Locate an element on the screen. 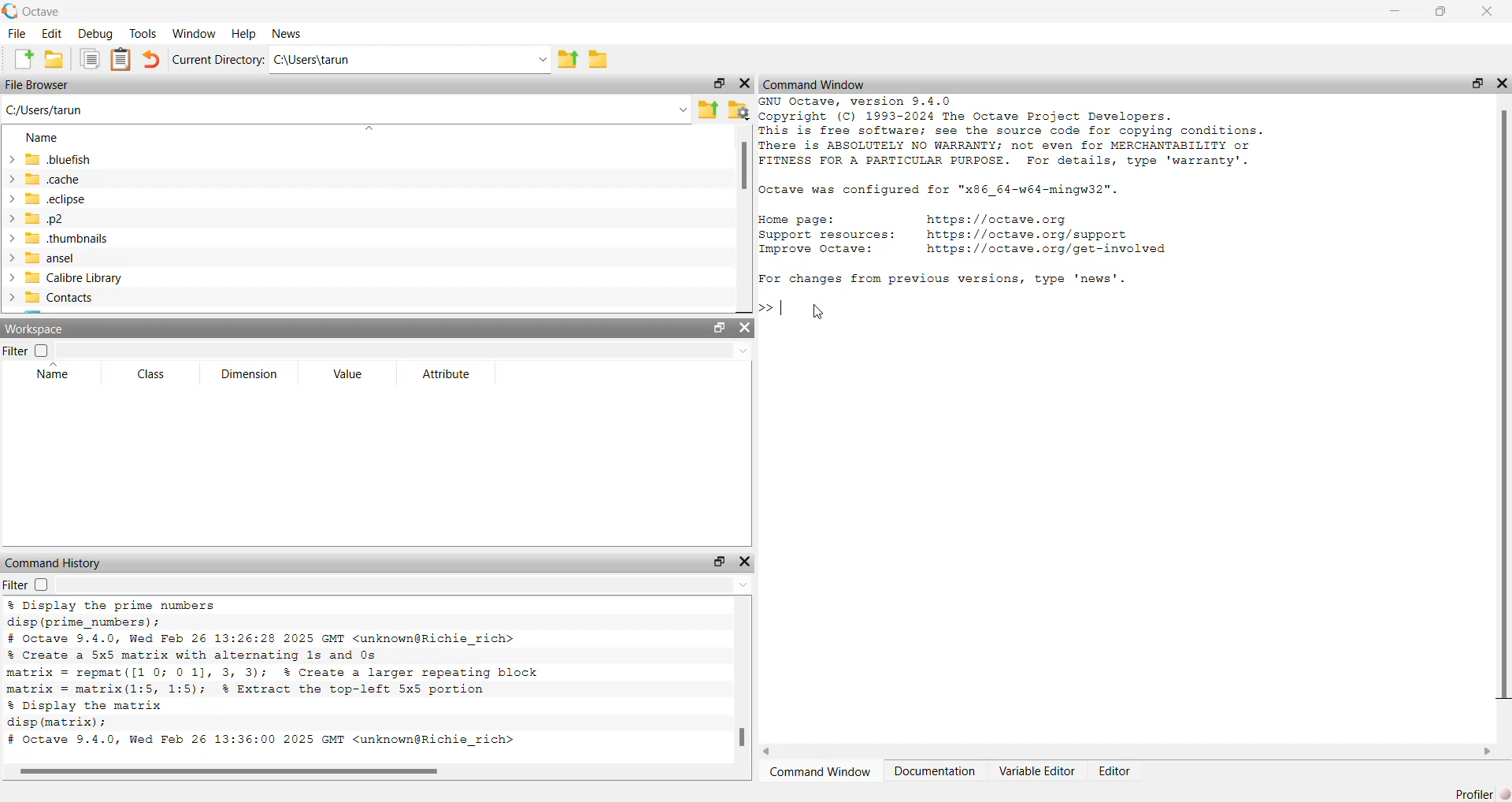 The width and height of the screenshot is (1512, 802). variable editor is located at coordinates (1037, 771).